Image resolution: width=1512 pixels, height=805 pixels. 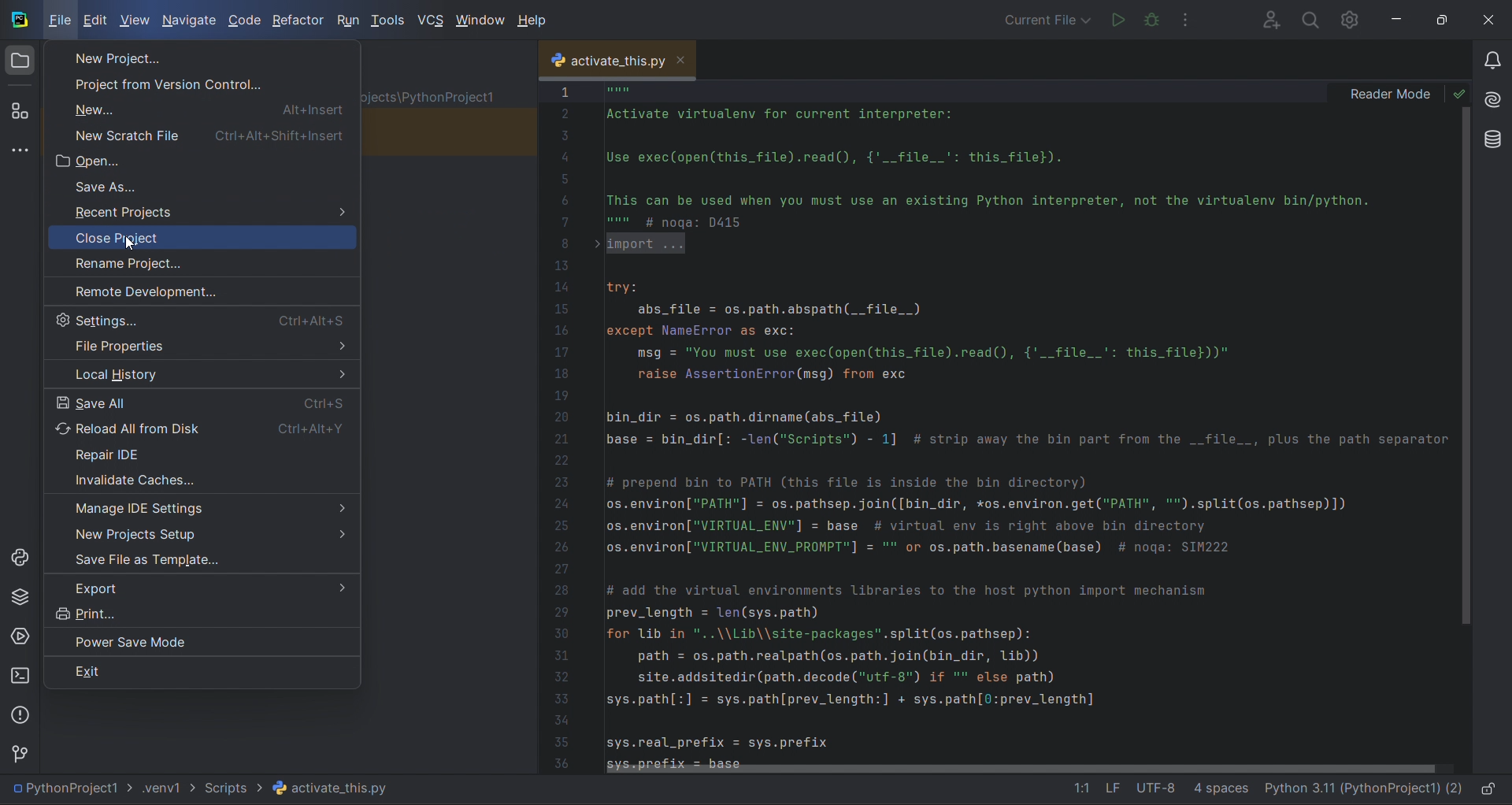 I want to click on save file, so click(x=202, y=558).